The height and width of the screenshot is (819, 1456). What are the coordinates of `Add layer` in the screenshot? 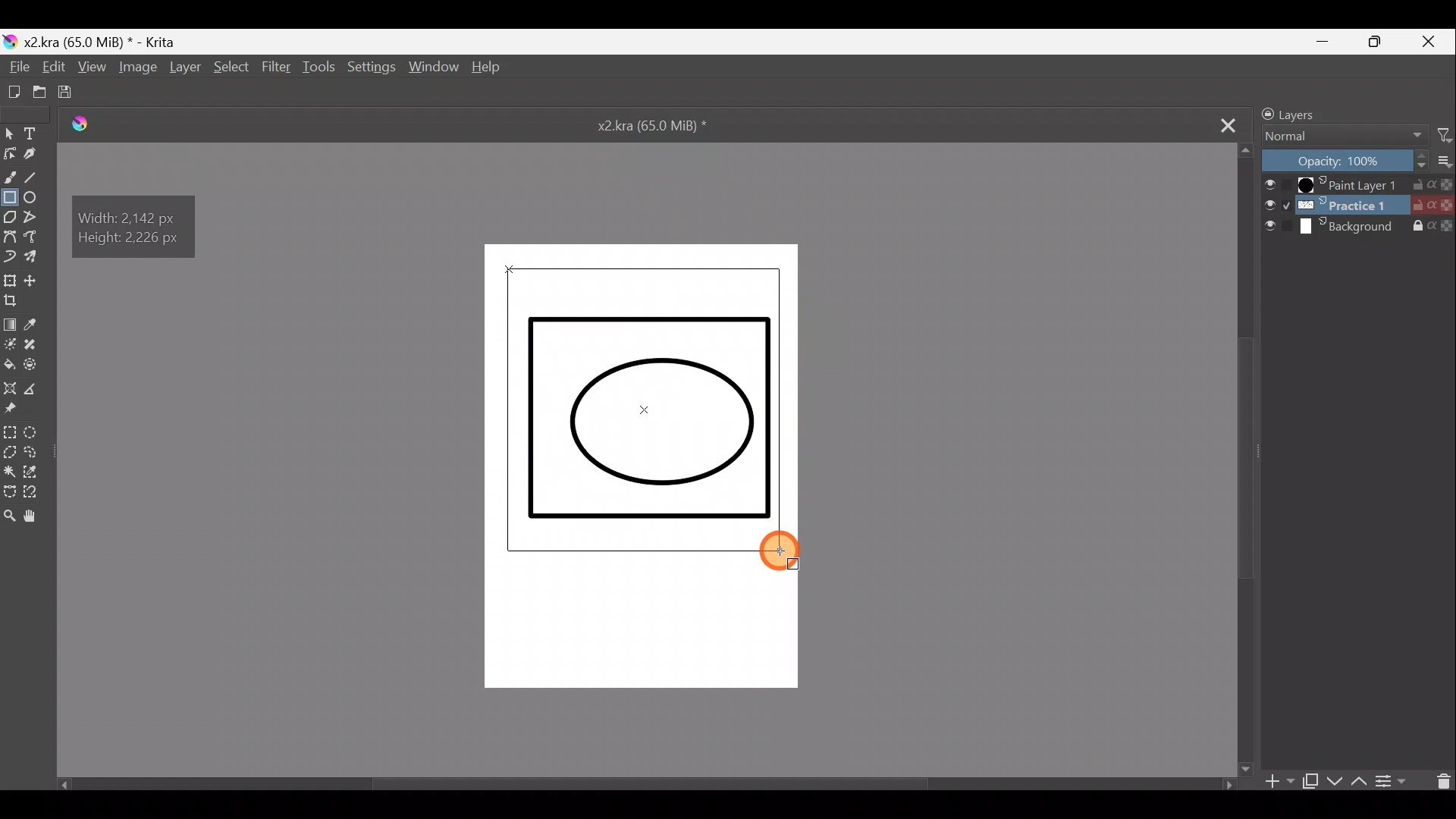 It's located at (1277, 786).